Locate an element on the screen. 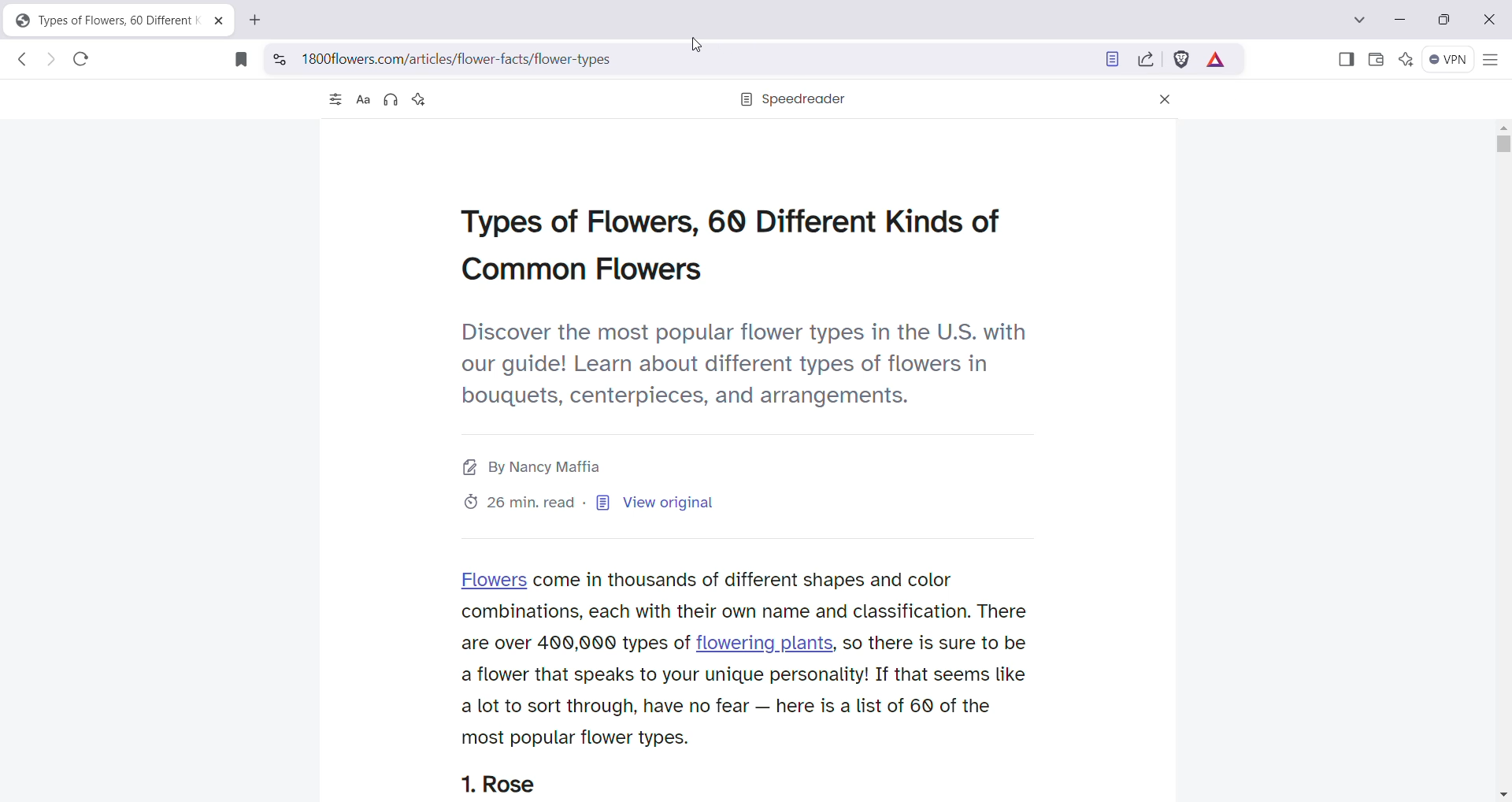  Appearanace Settings is located at coordinates (361, 100).